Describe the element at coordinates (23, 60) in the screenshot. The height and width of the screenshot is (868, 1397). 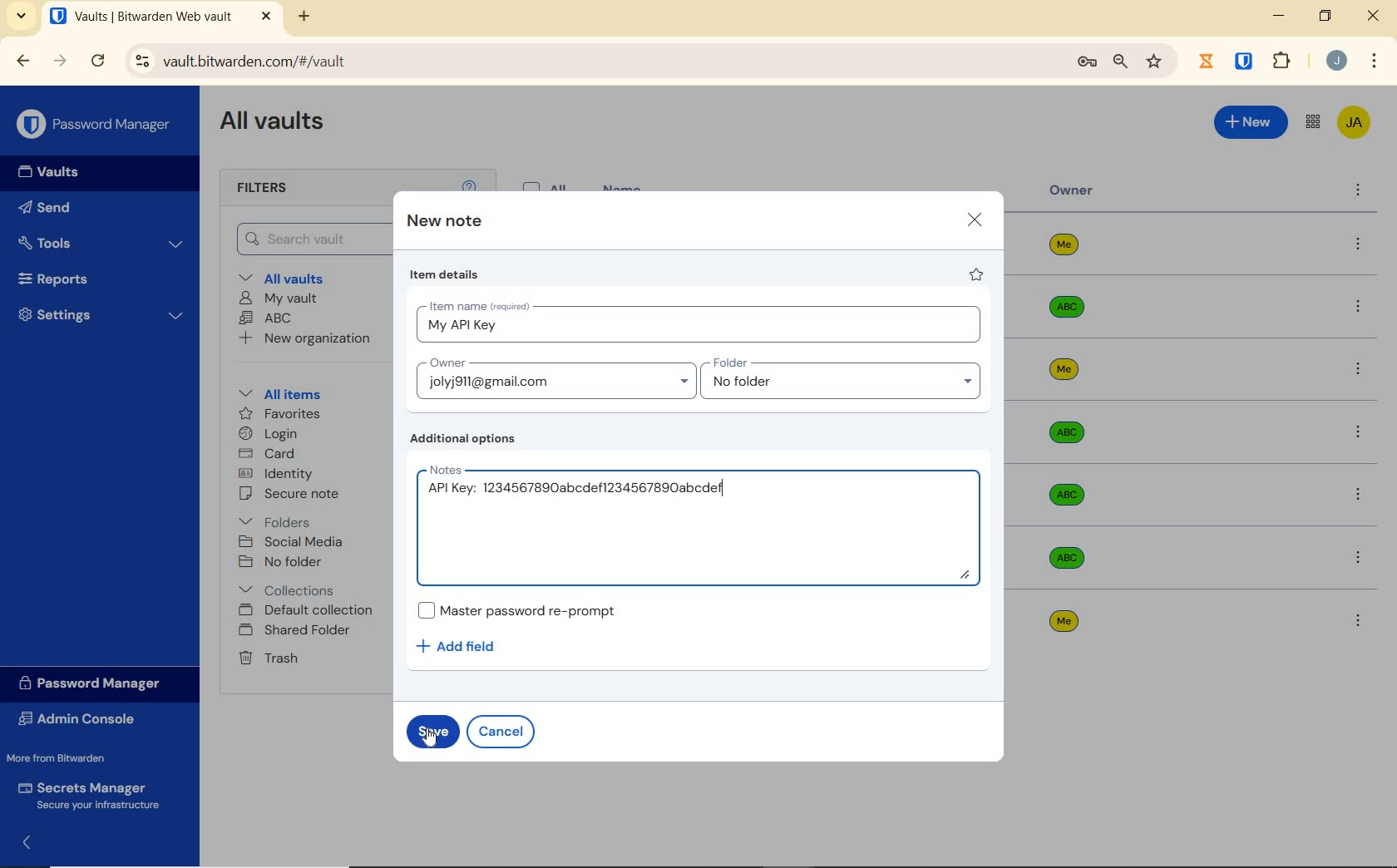
I see `BACK` at that location.